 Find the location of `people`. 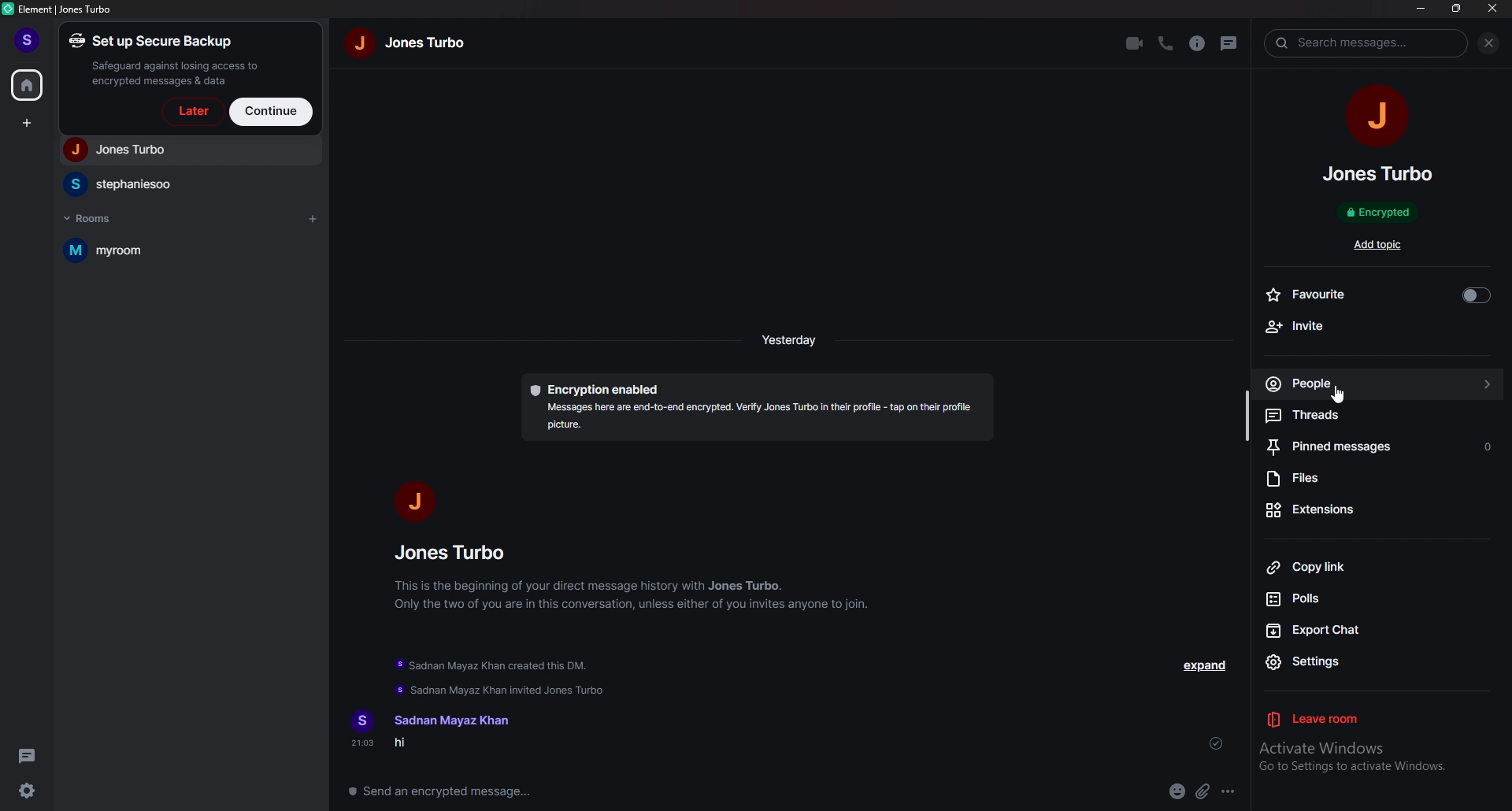

people is located at coordinates (1297, 383).